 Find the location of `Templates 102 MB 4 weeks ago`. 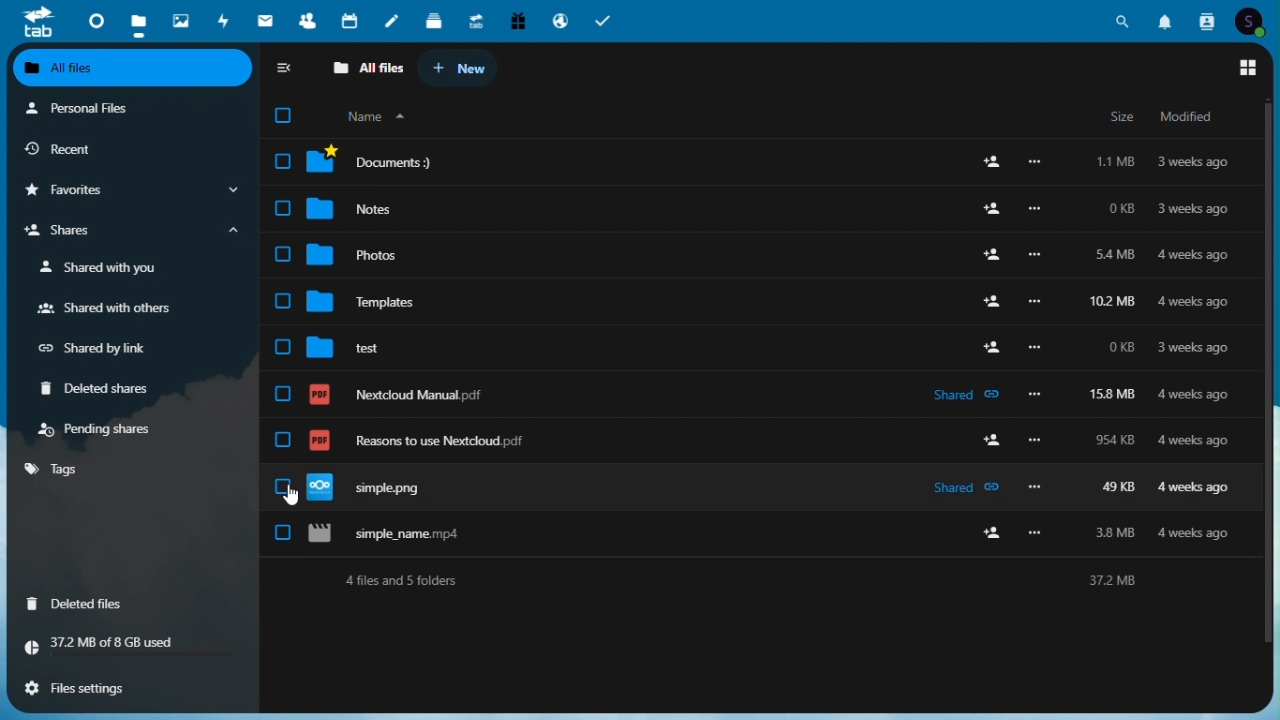

Templates 102 MB 4 weeks ago is located at coordinates (759, 293).